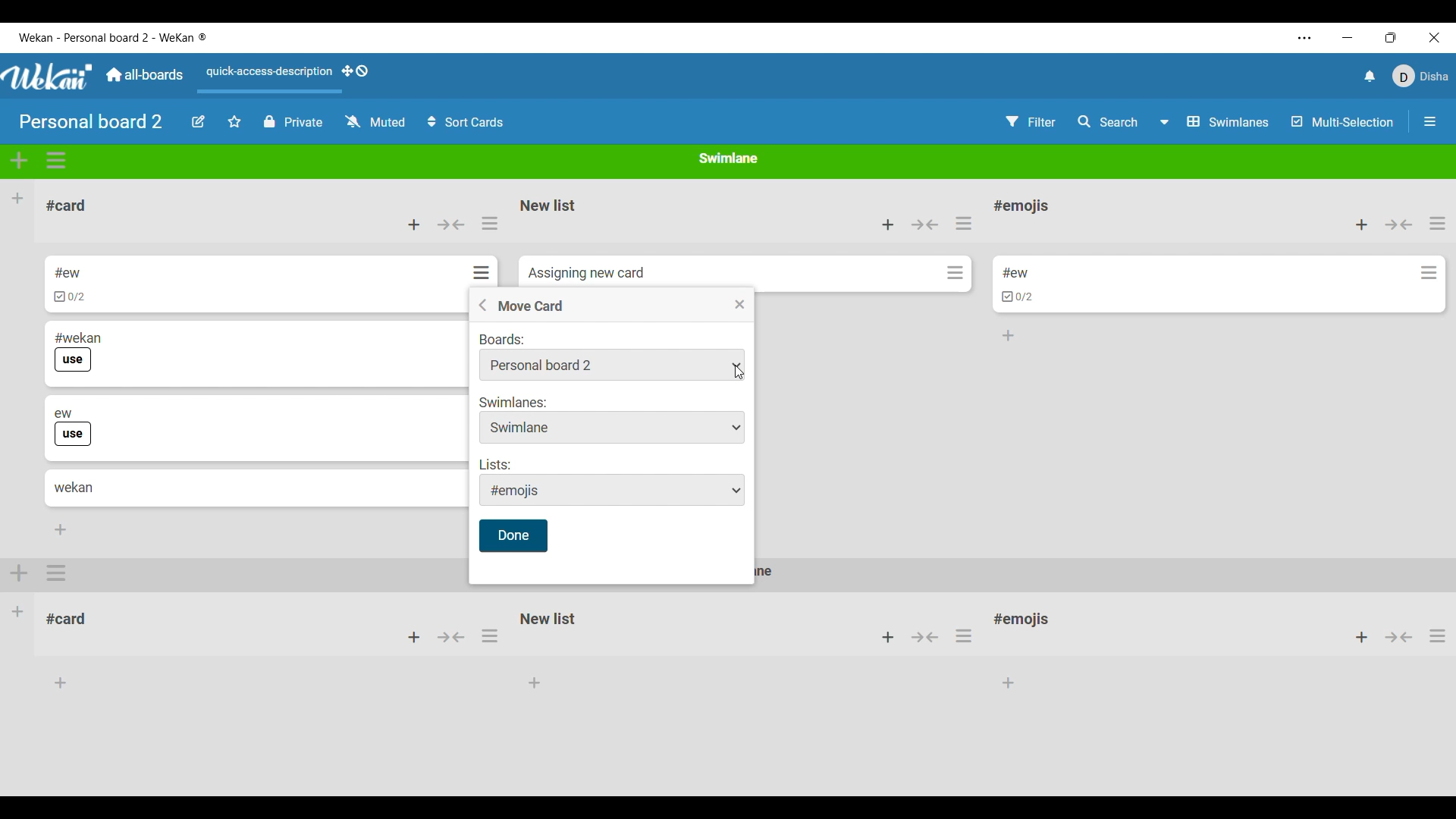 This screenshot has width=1456, height=819. Describe the element at coordinates (74, 428) in the screenshot. I see `Card title and label` at that location.